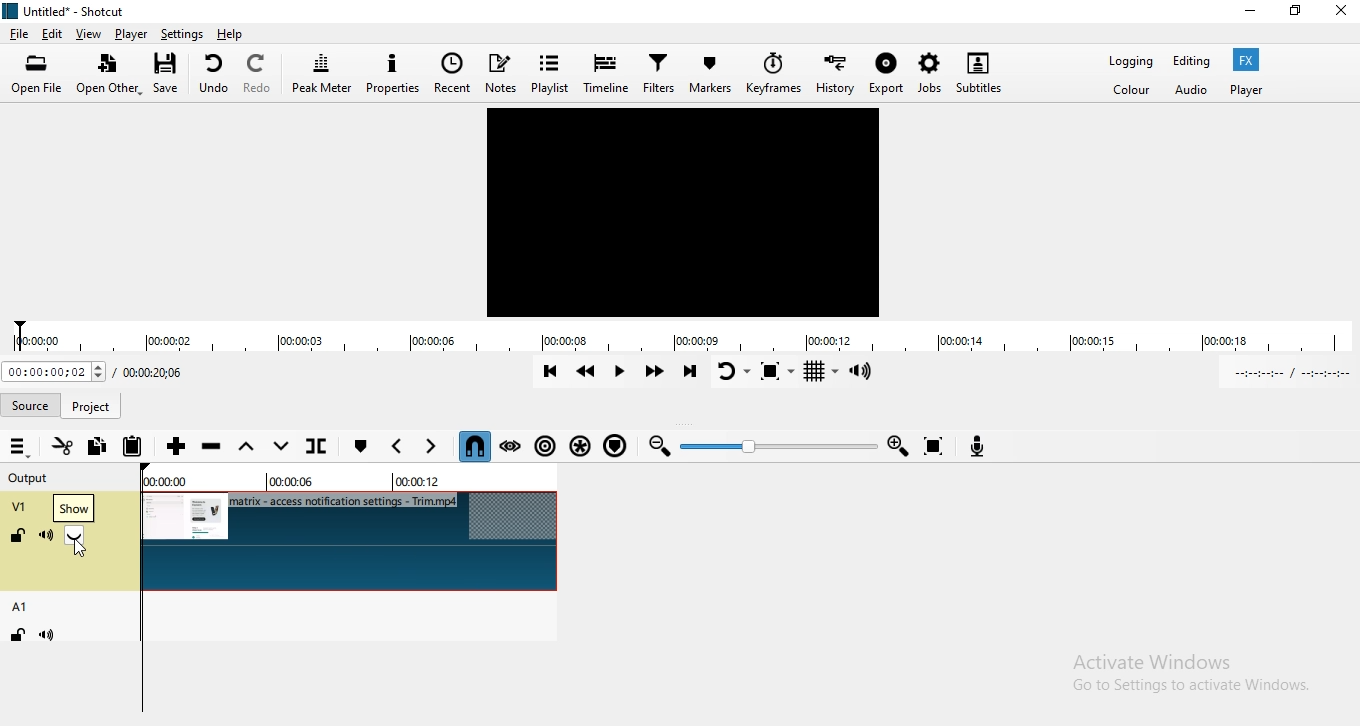 The image size is (1360, 726). I want to click on Zoom out, so click(660, 445).